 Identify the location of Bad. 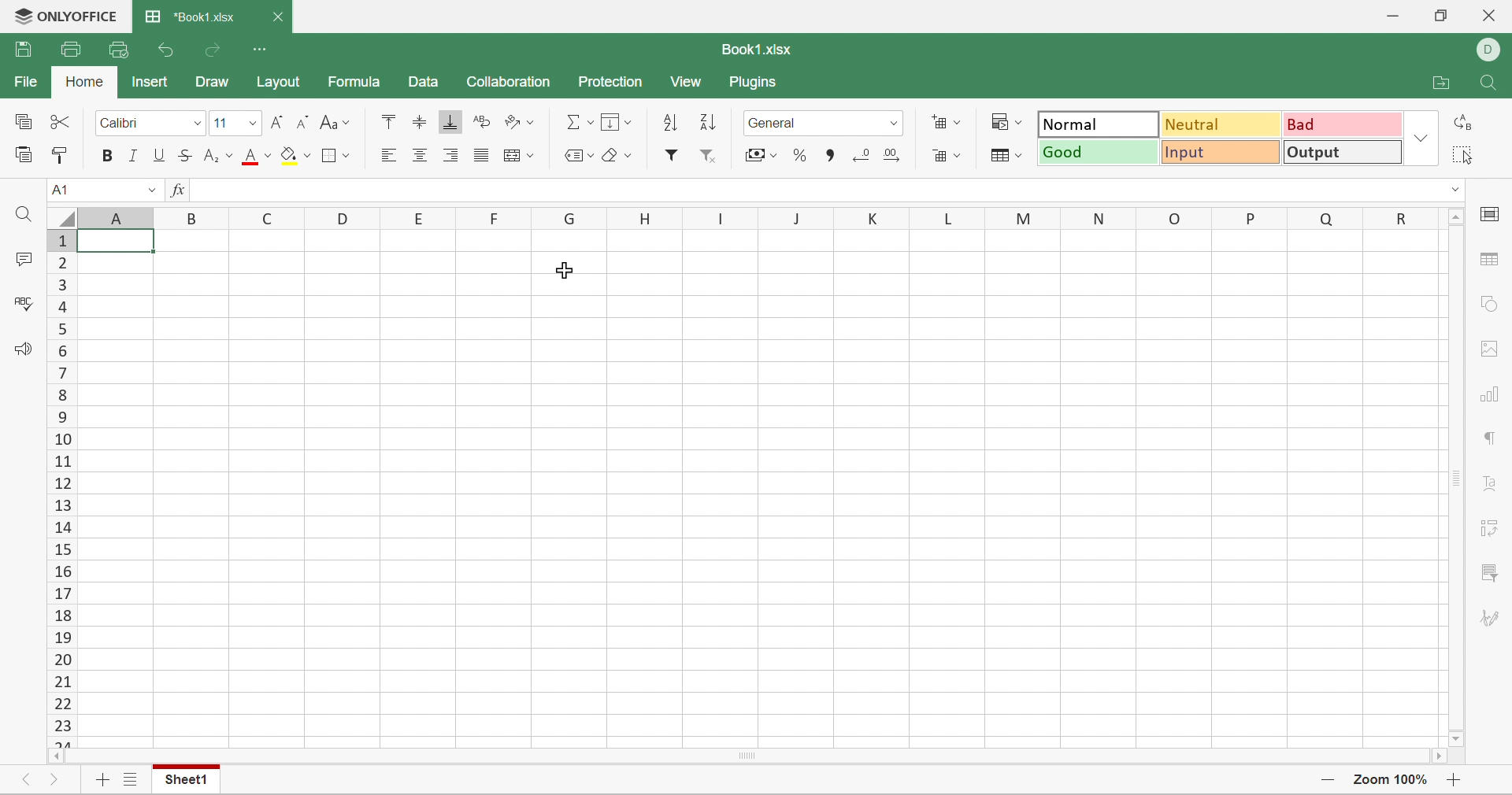
(1343, 124).